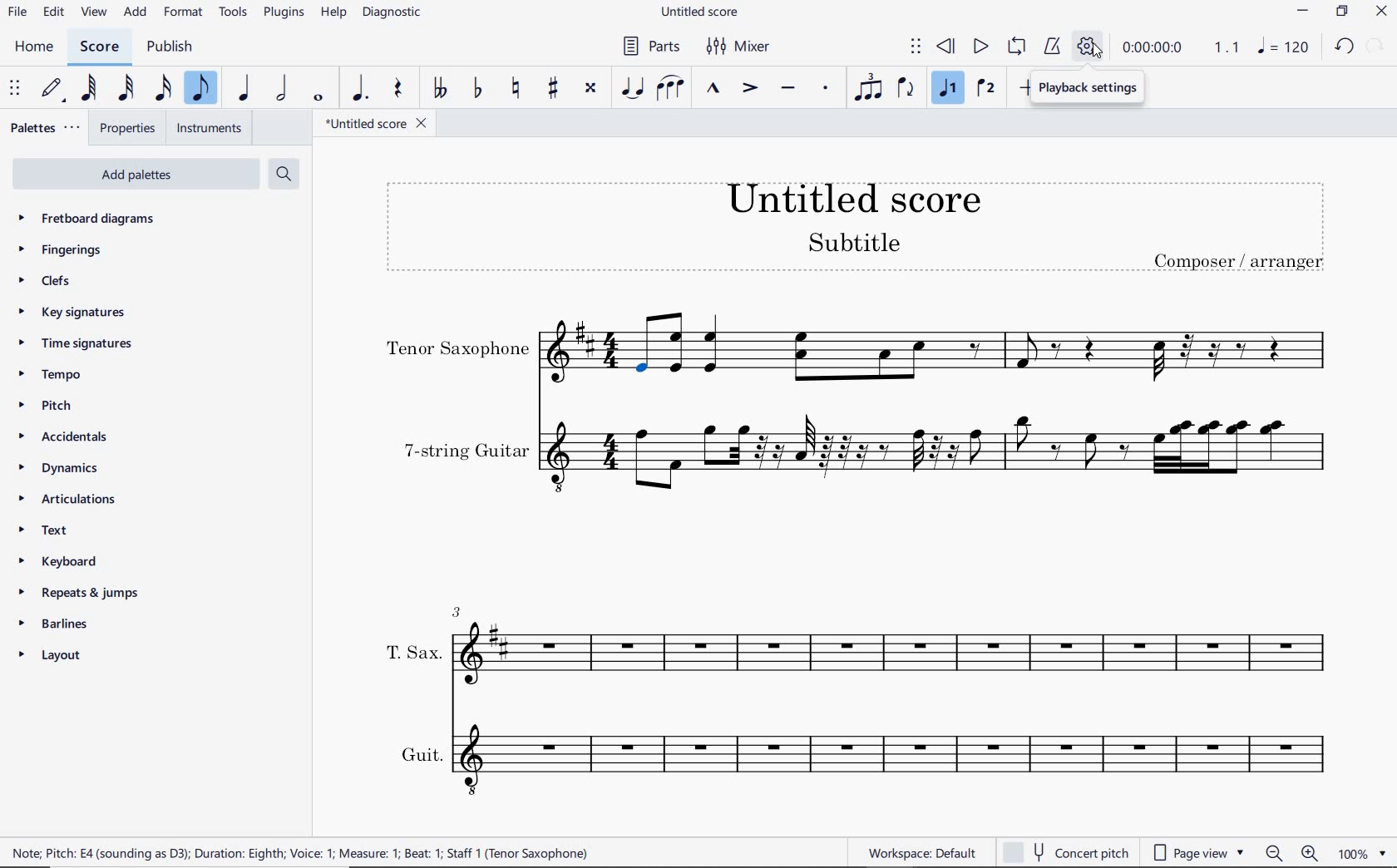 Image resolution: width=1397 pixels, height=868 pixels. Describe the element at coordinates (93, 12) in the screenshot. I see `VIEW` at that location.